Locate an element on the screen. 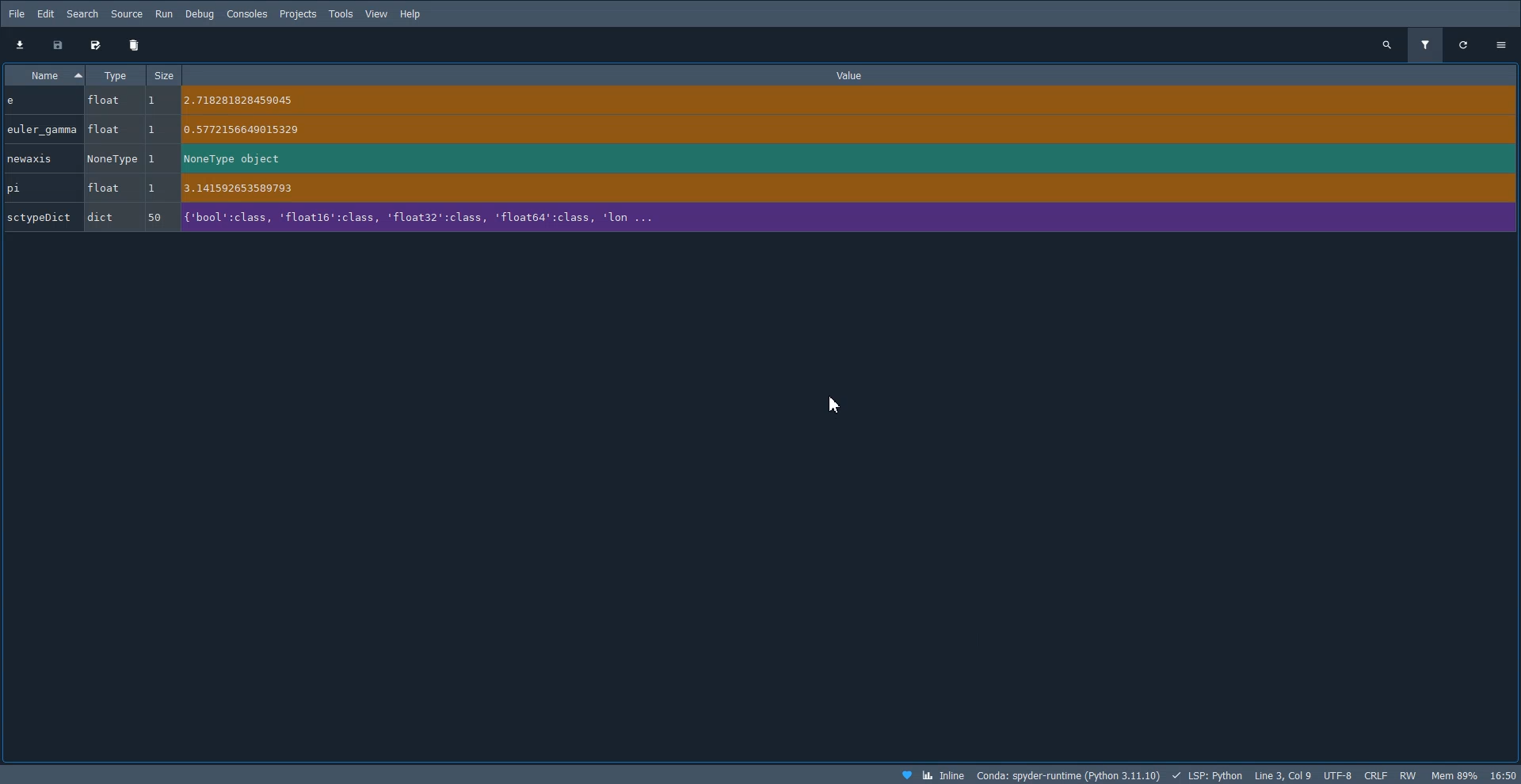 The width and height of the screenshot is (1521, 784). View is located at coordinates (377, 13).